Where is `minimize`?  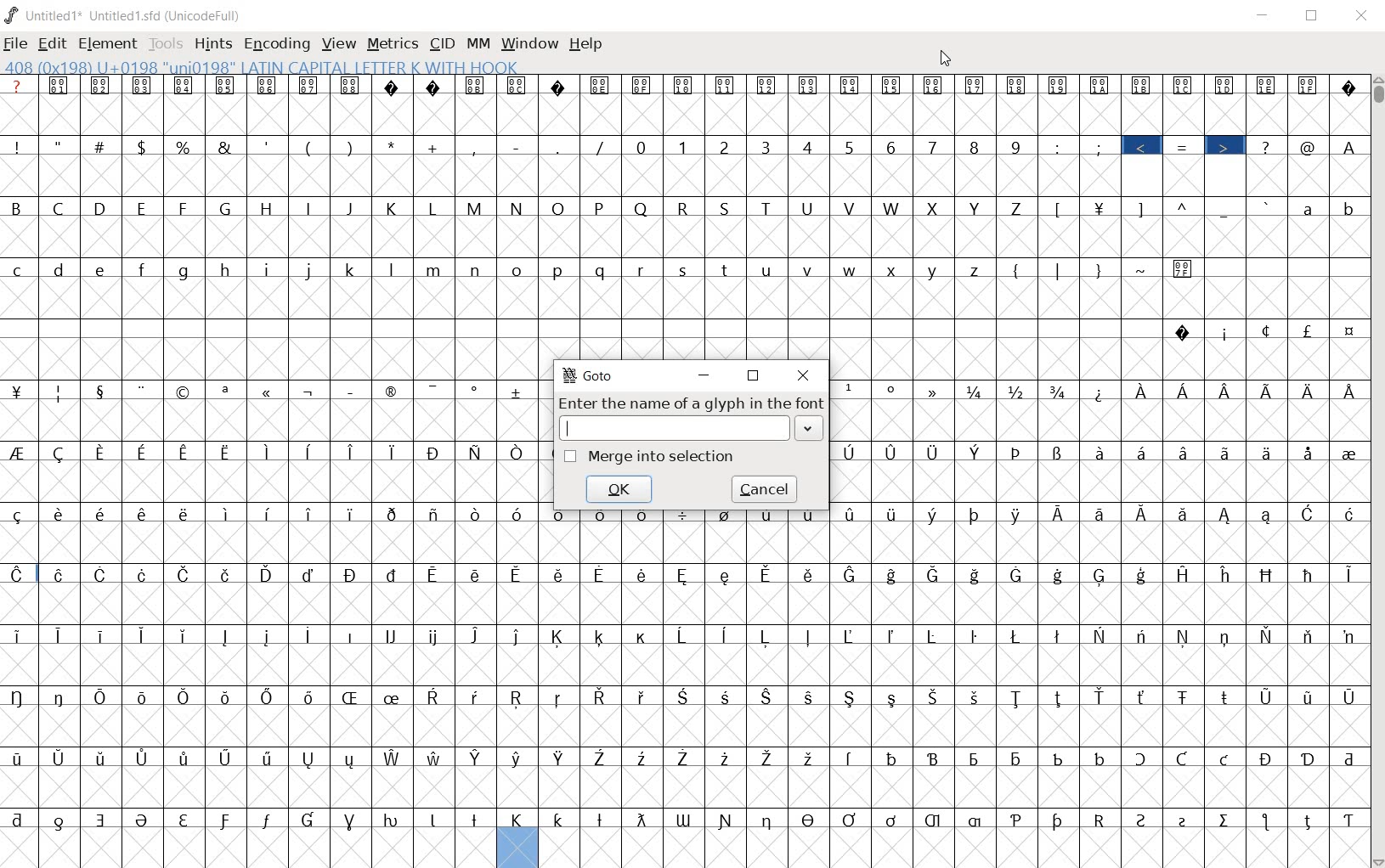 minimize is located at coordinates (708, 376).